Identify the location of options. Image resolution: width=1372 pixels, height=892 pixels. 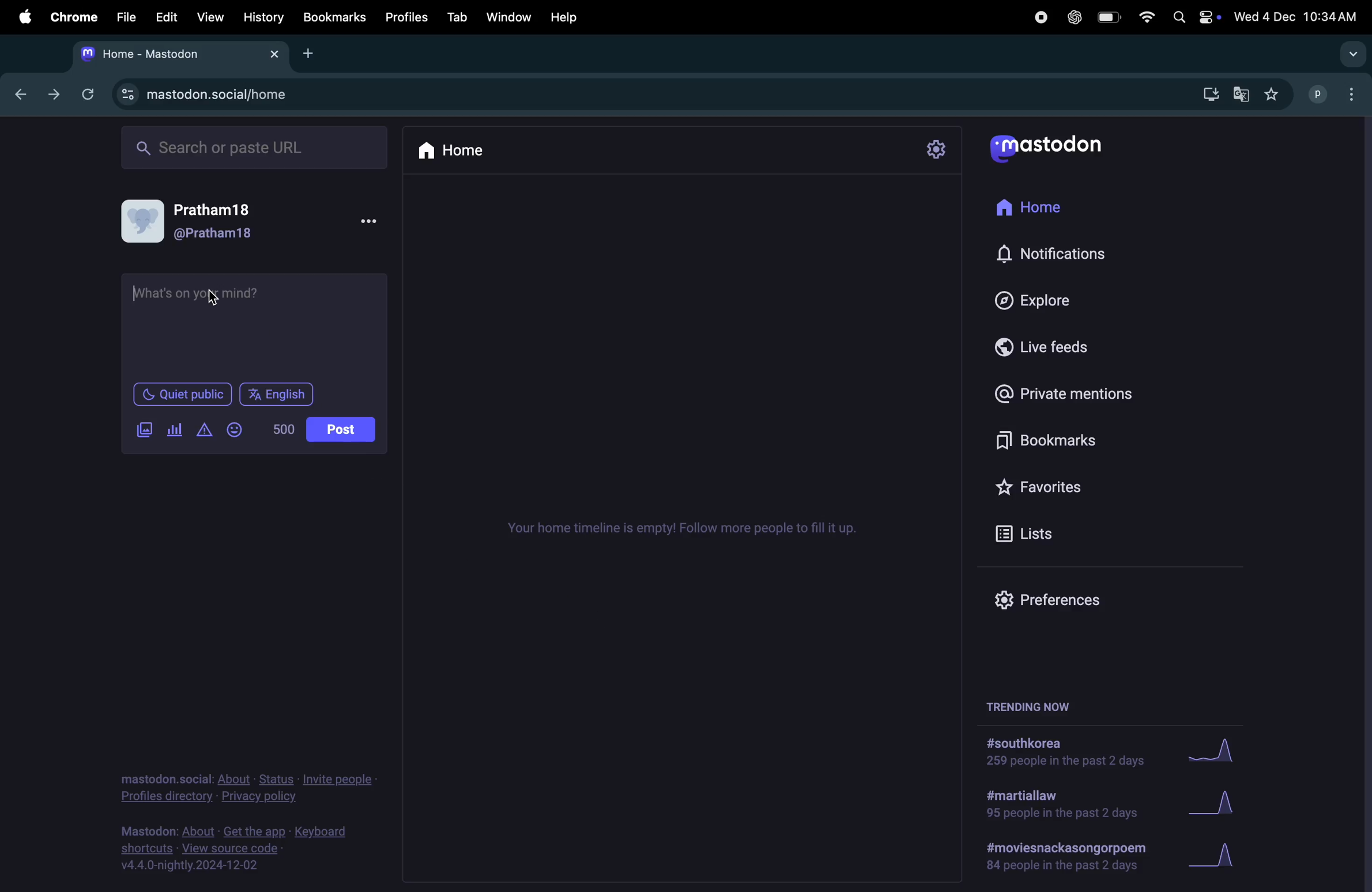
(375, 222).